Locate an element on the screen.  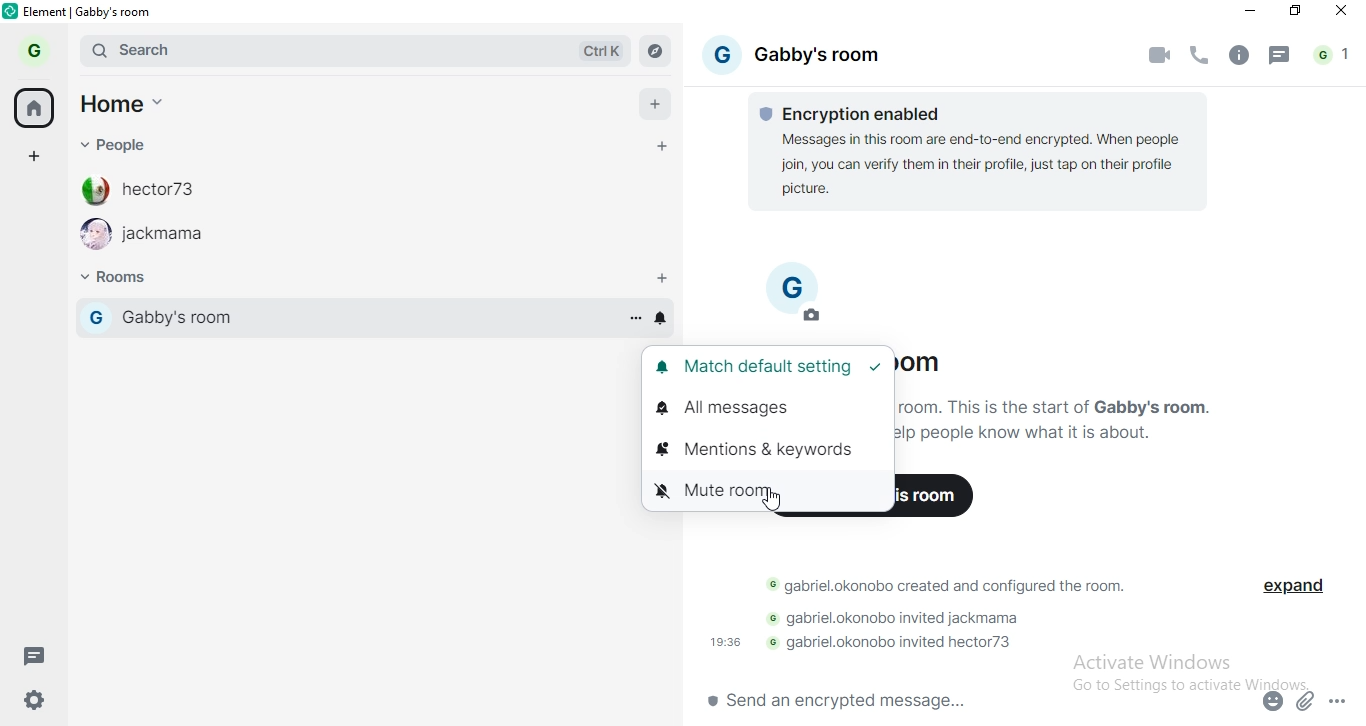
chat box is located at coordinates (964, 702).